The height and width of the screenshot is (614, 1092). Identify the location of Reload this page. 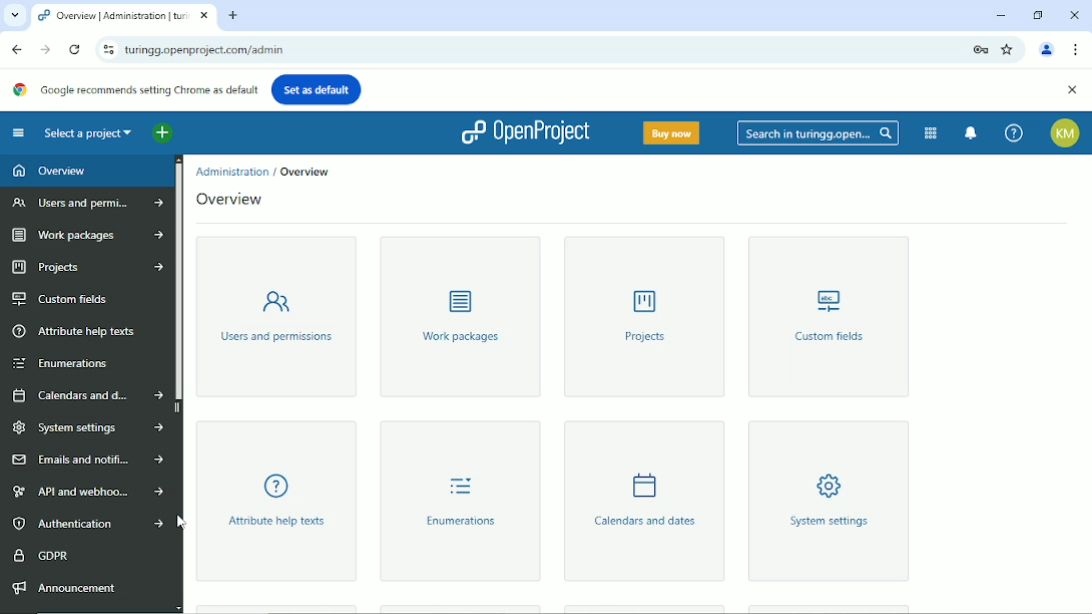
(74, 50).